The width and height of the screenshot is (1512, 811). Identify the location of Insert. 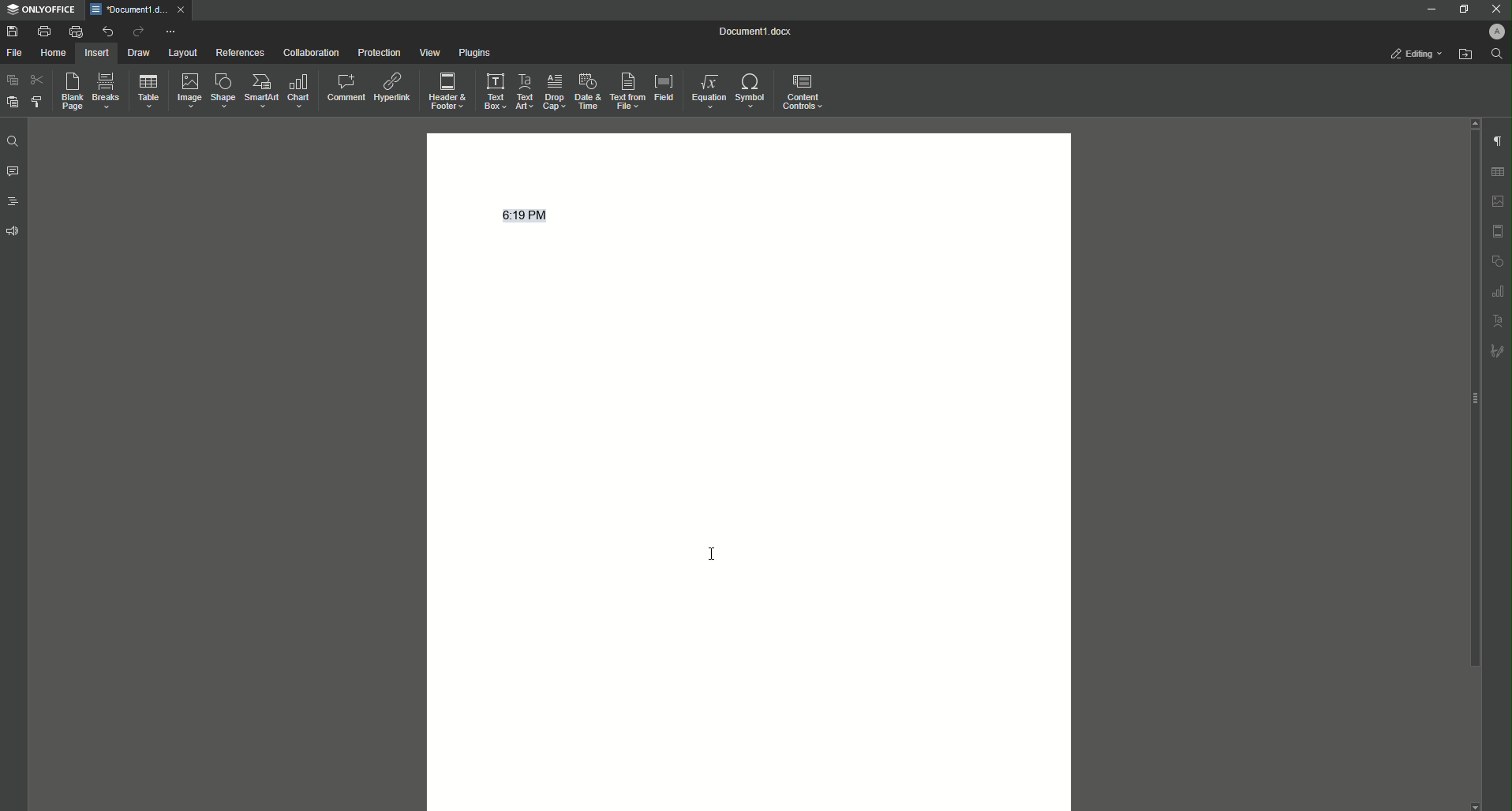
(97, 52).